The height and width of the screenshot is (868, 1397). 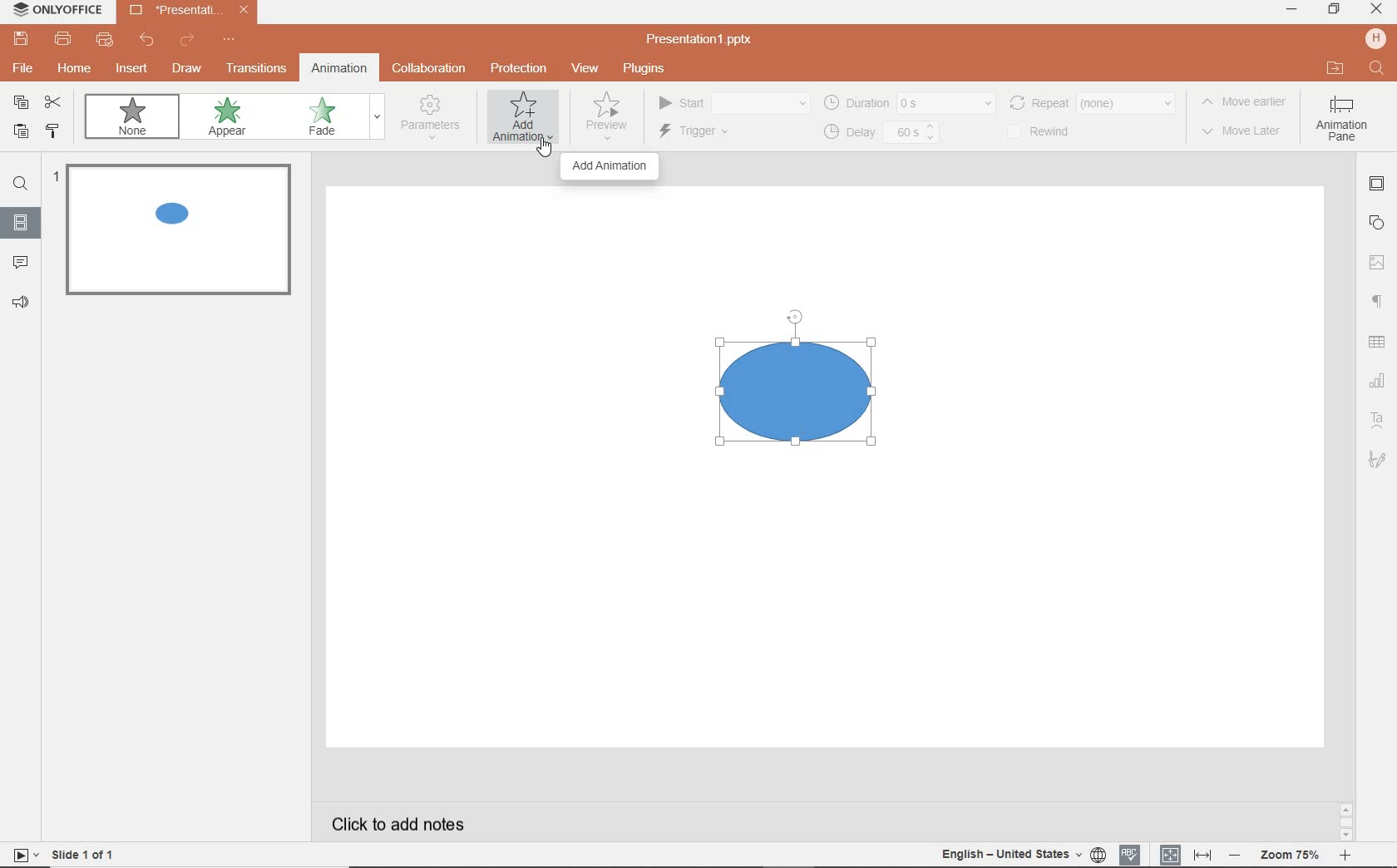 What do you see at coordinates (1291, 9) in the screenshot?
I see `MINIMIZE` at bounding box center [1291, 9].